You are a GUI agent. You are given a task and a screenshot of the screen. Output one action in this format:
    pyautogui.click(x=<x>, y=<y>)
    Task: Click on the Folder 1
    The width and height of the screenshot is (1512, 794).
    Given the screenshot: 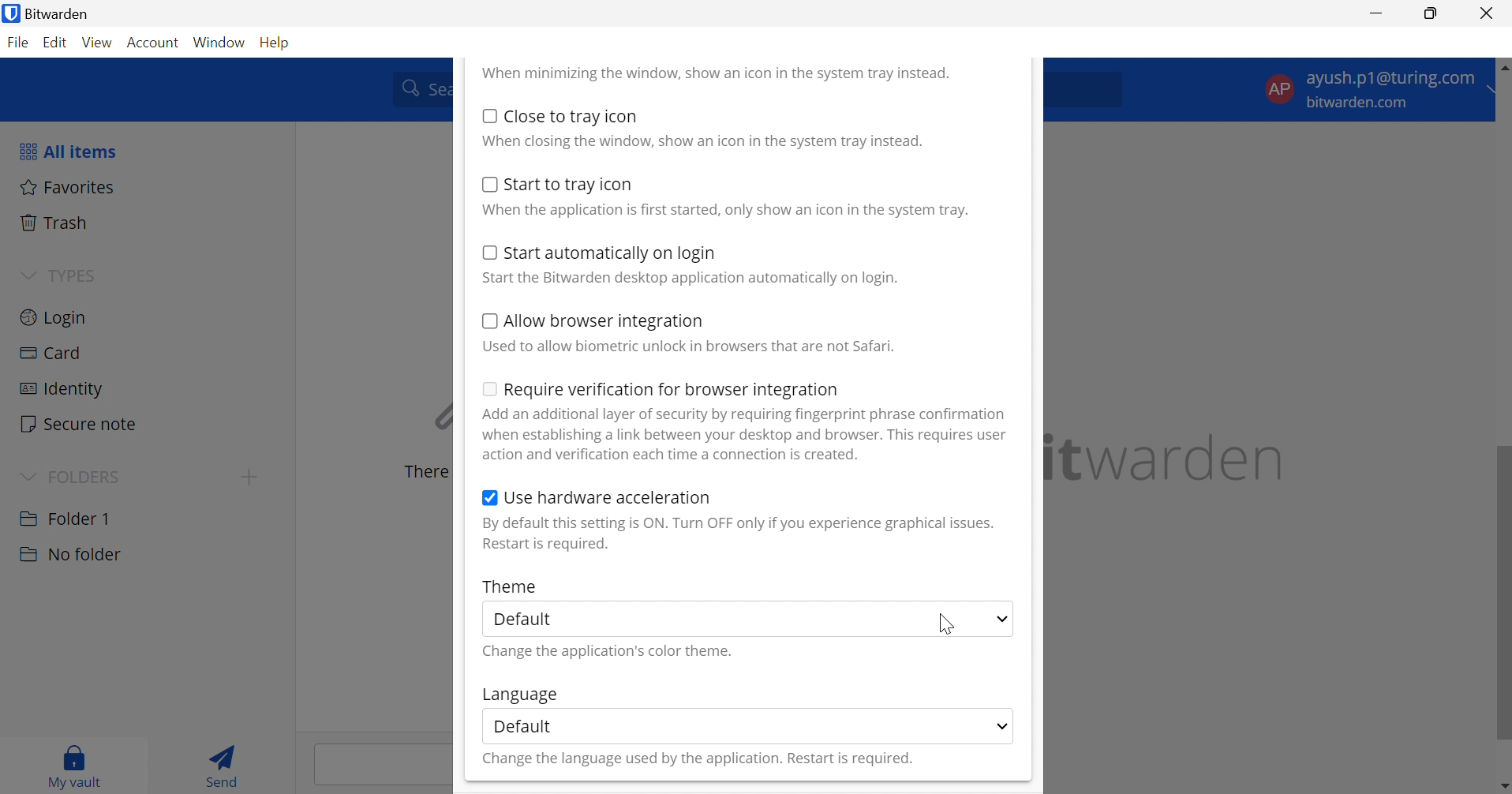 What is the action you would take?
    pyautogui.click(x=65, y=517)
    